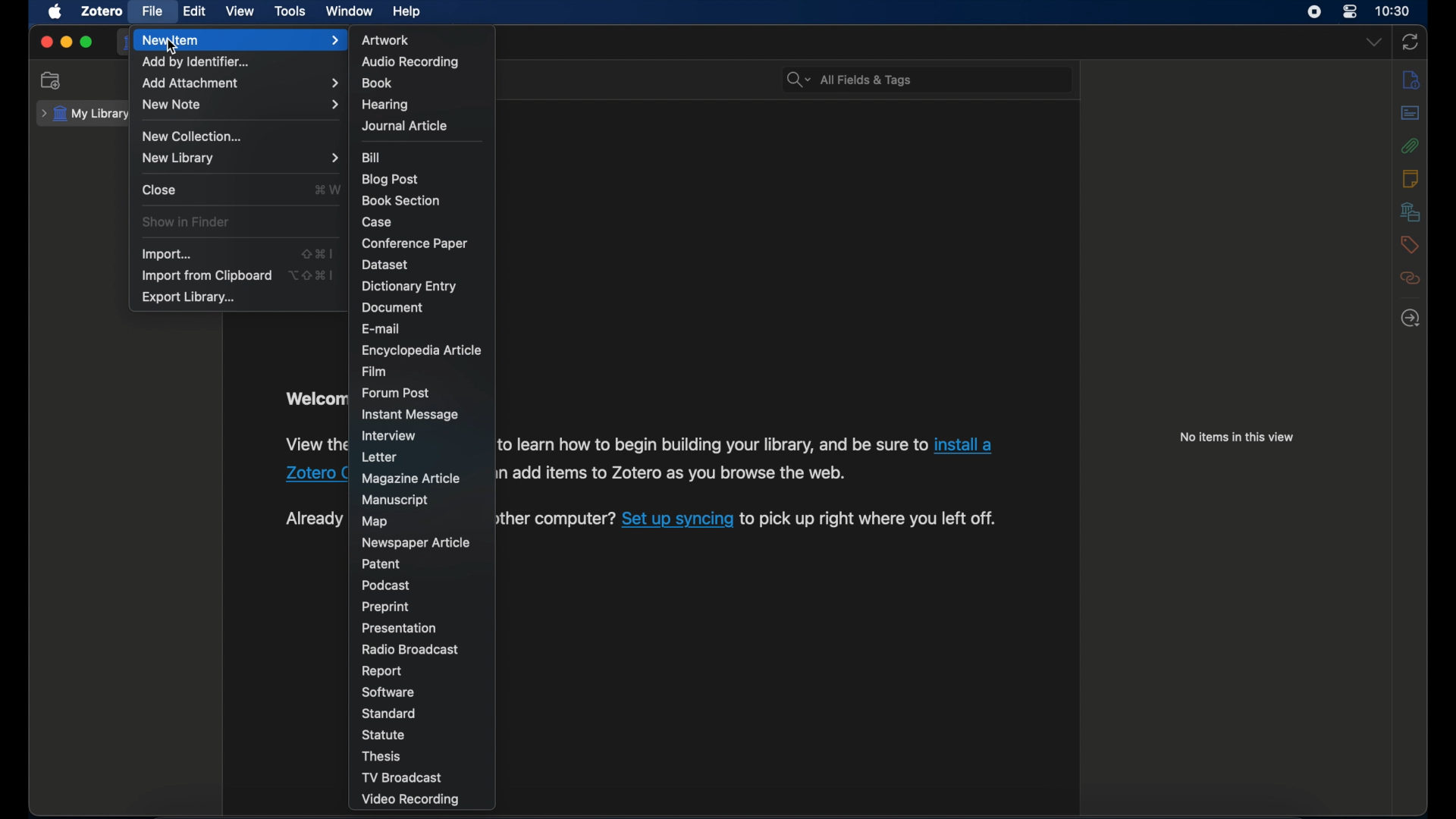  What do you see at coordinates (388, 436) in the screenshot?
I see `interview` at bounding box center [388, 436].